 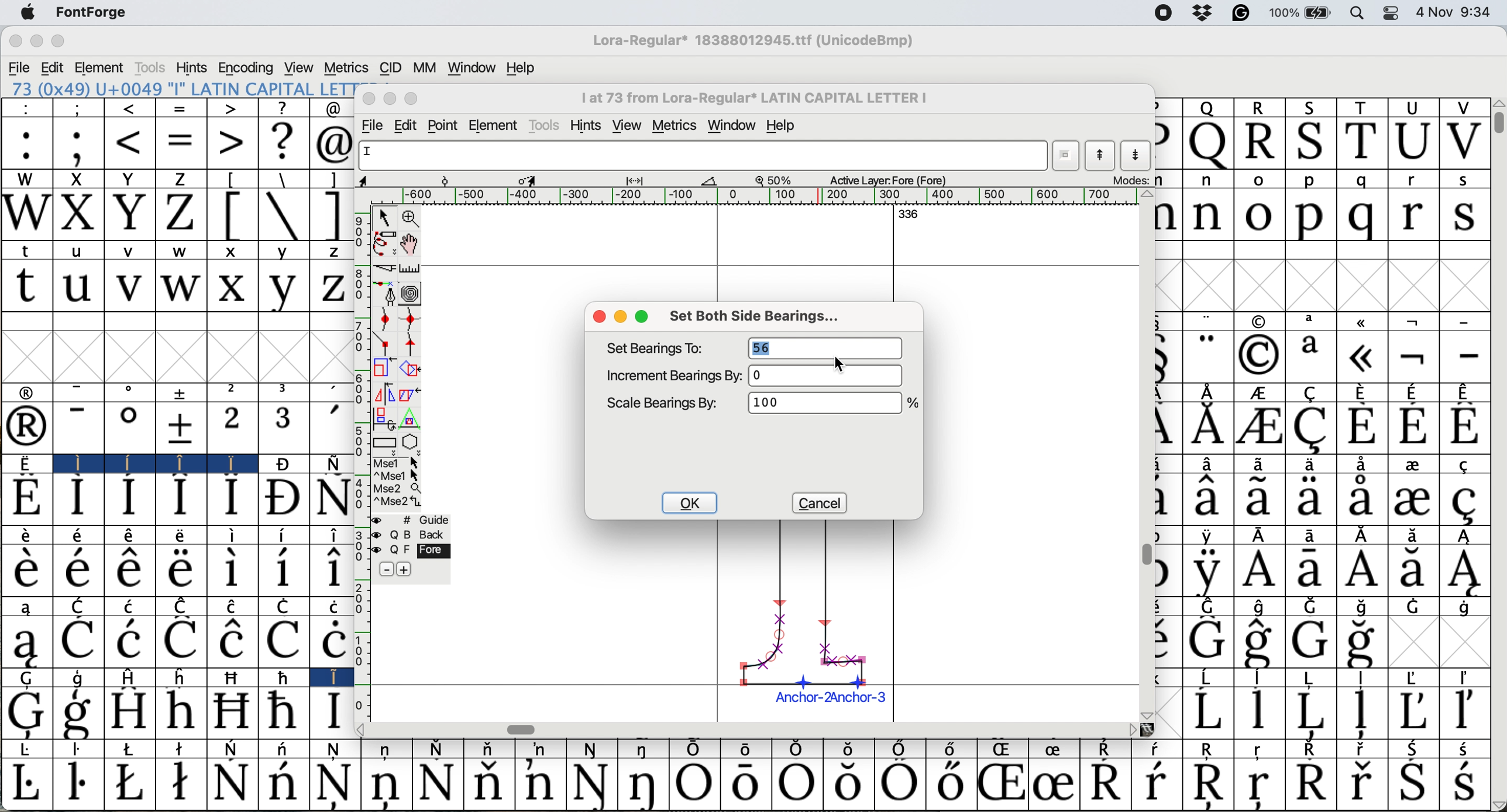 What do you see at coordinates (18, 68) in the screenshot?
I see `file` at bounding box center [18, 68].